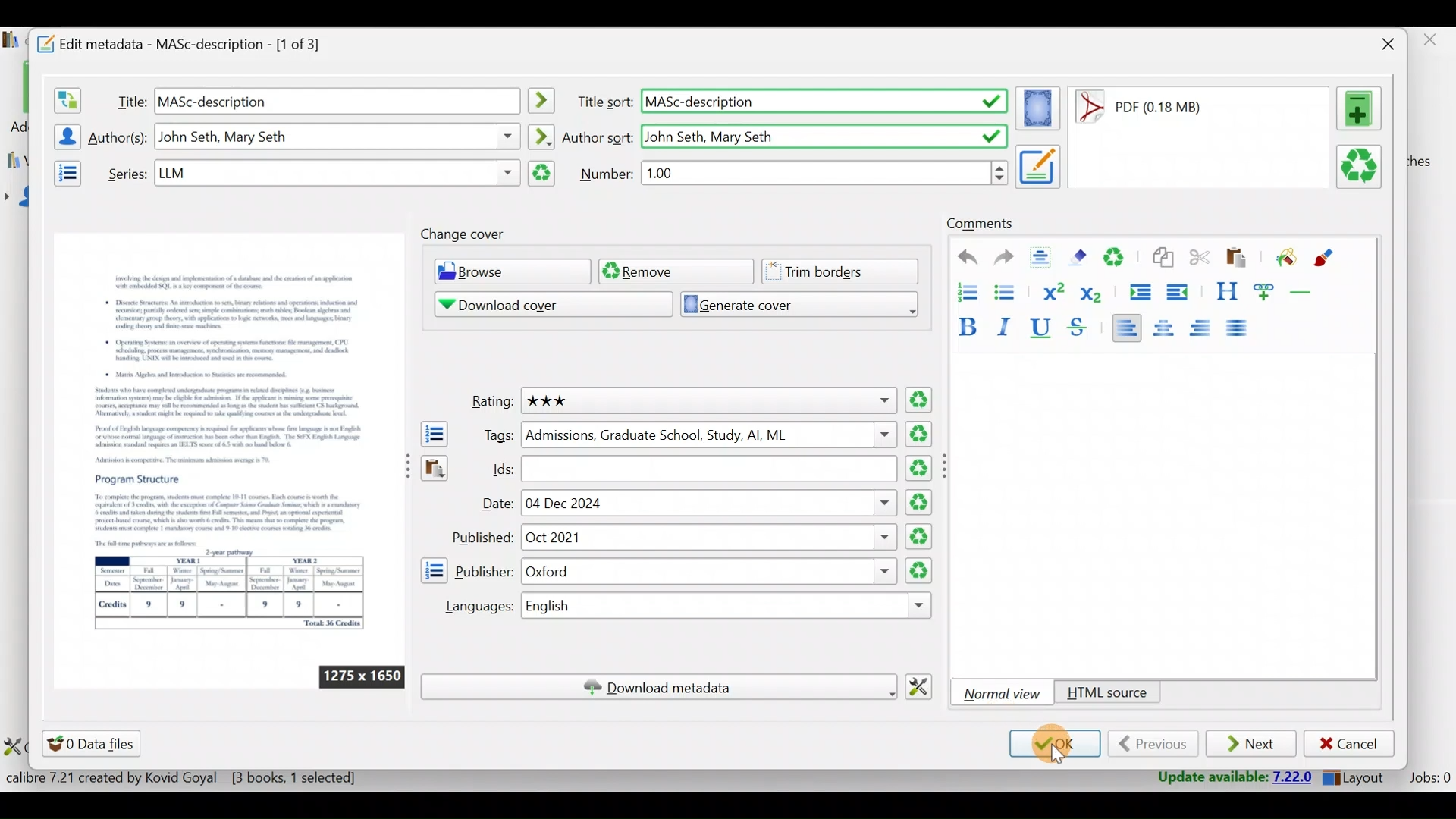 The image size is (1456, 819). What do you see at coordinates (1053, 745) in the screenshot?
I see `OK` at bounding box center [1053, 745].